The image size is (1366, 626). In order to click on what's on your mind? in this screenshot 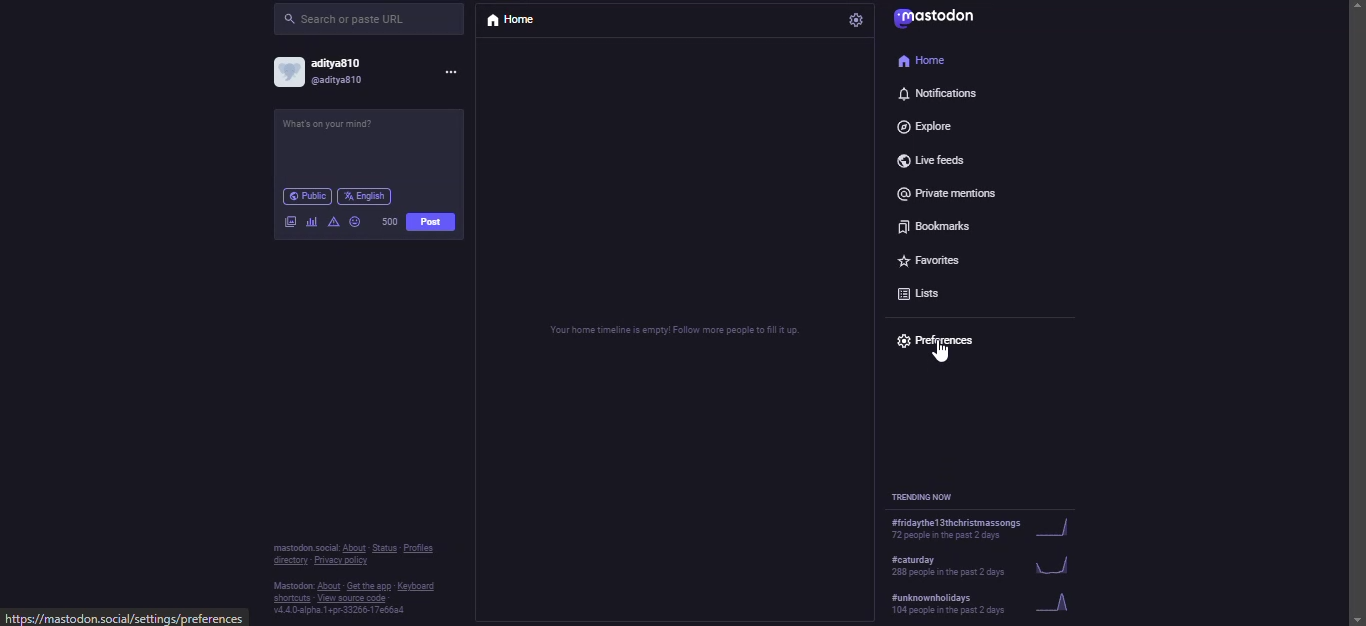, I will do `click(337, 127)`.